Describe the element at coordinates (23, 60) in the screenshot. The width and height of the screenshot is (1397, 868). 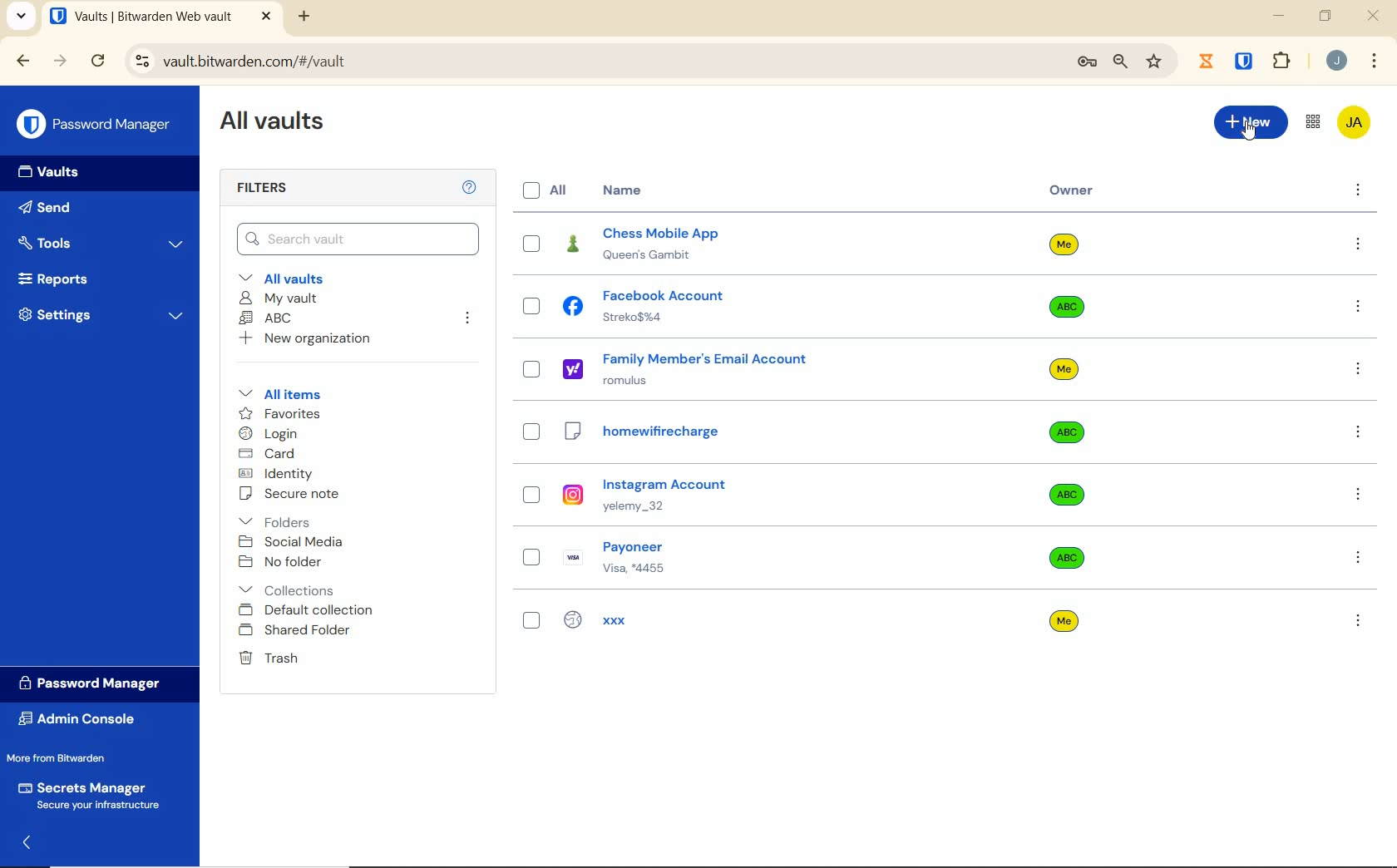
I see `BACK` at that location.